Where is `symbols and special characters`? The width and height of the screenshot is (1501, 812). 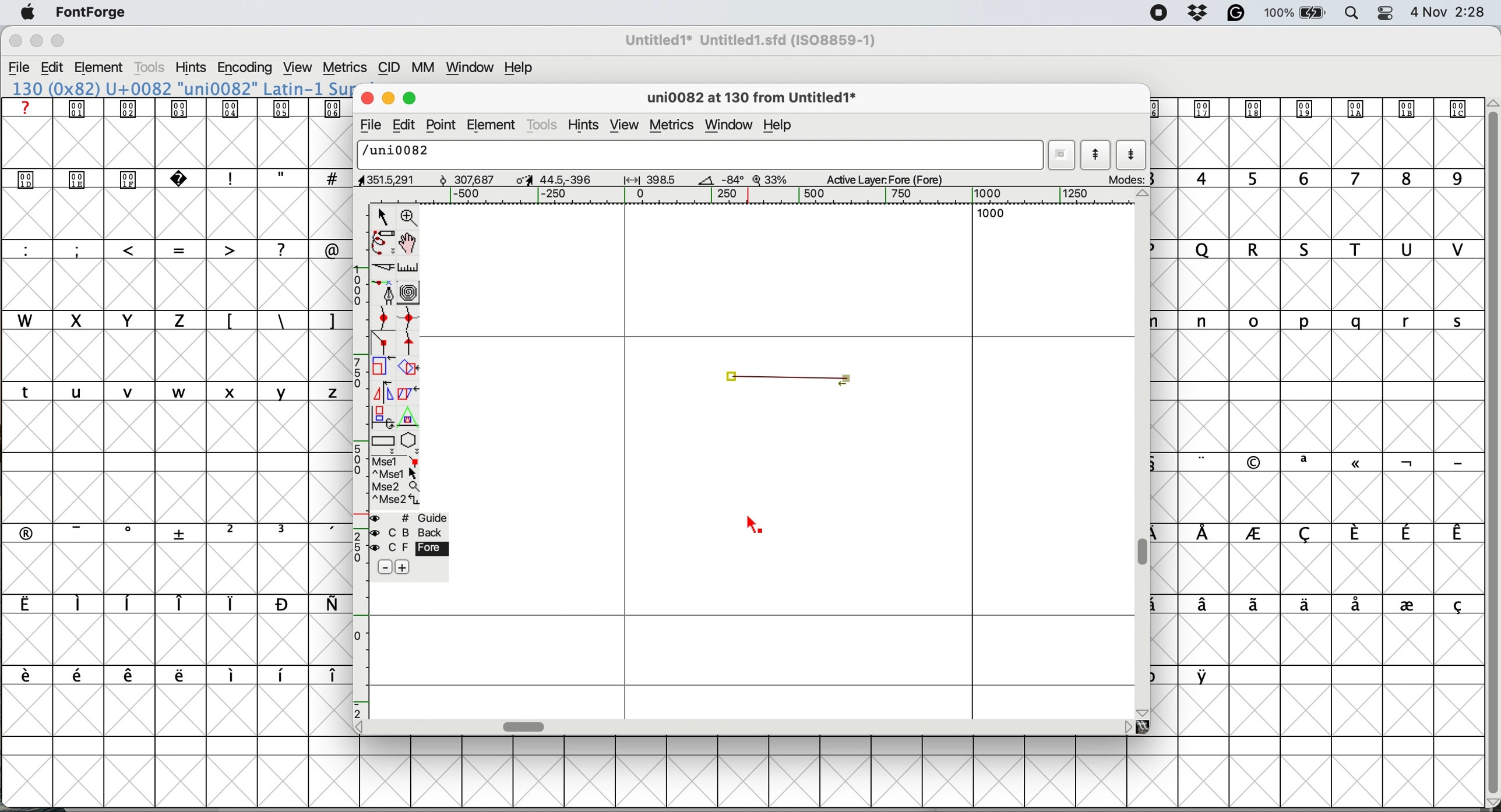 symbols and special characters is located at coordinates (185, 180).